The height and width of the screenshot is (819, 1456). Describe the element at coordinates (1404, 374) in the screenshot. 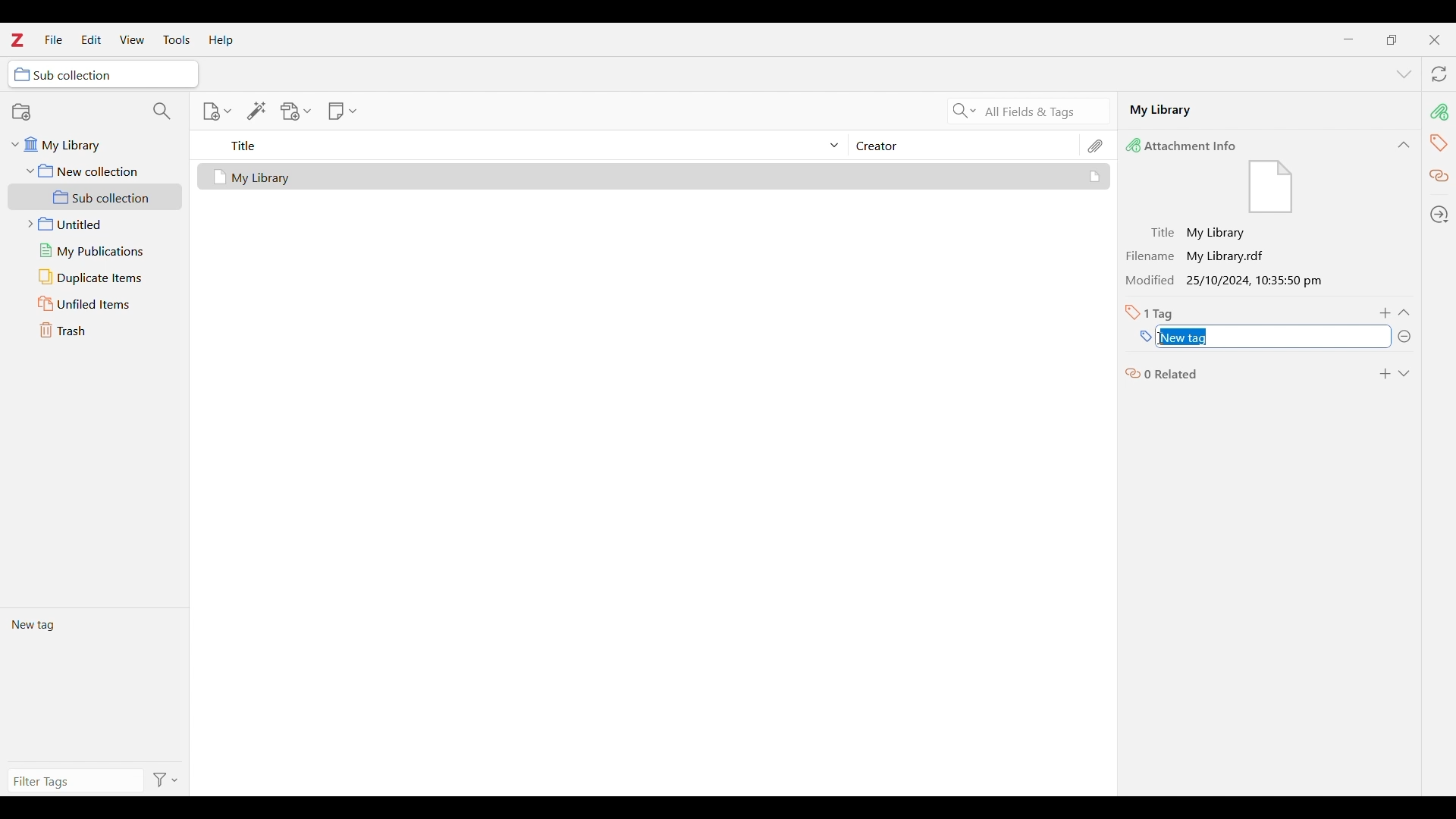

I see `Expand` at that location.